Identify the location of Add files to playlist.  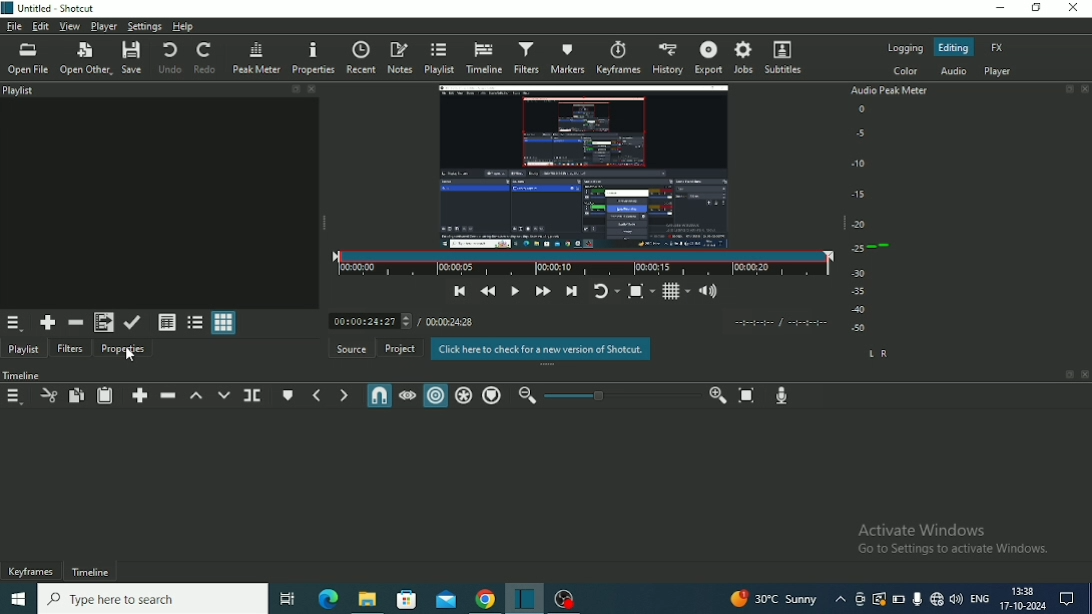
(103, 322).